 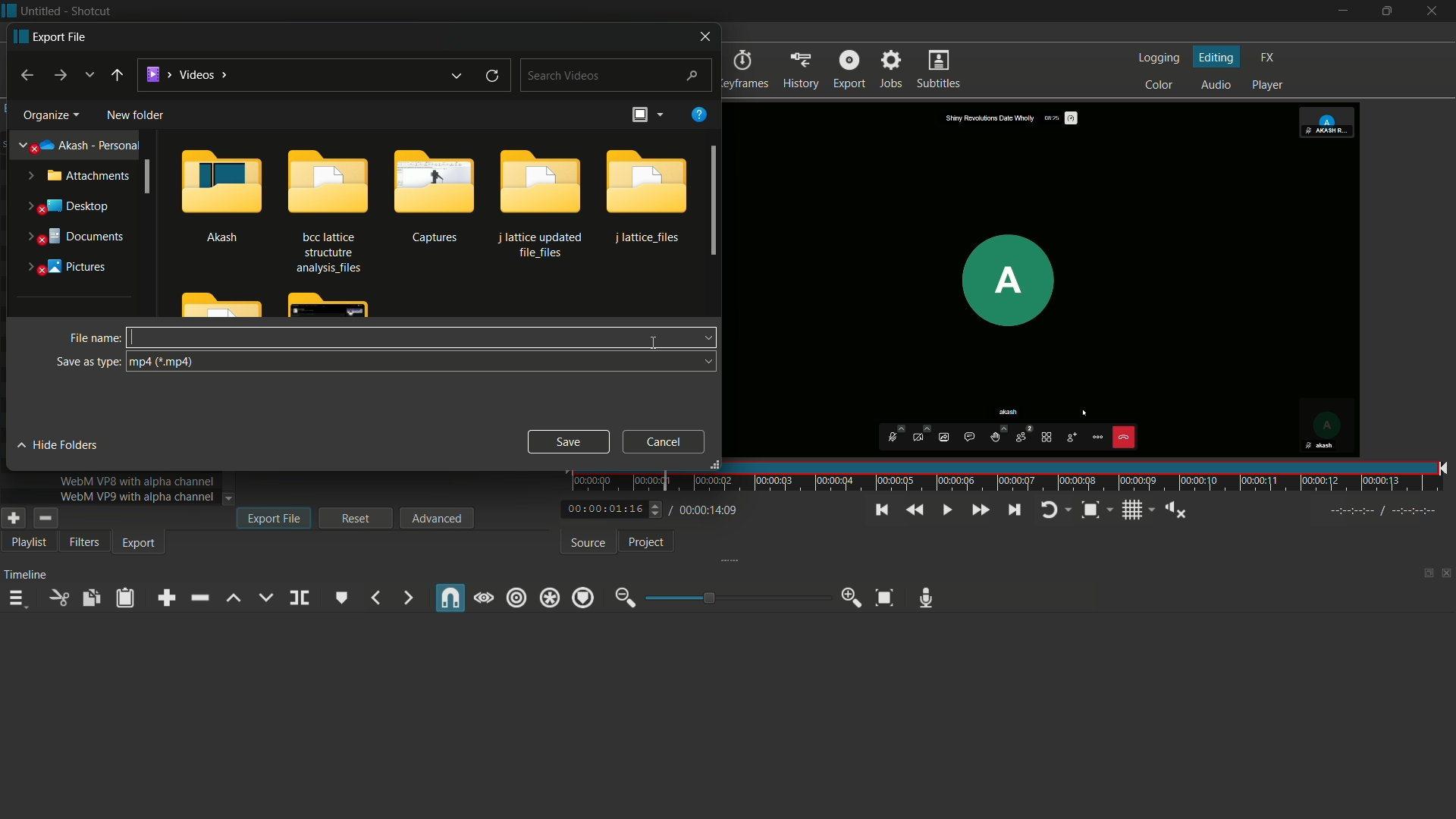 What do you see at coordinates (84, 541) in the screenshot?
I see `filters` at bounding box center [84, 541].